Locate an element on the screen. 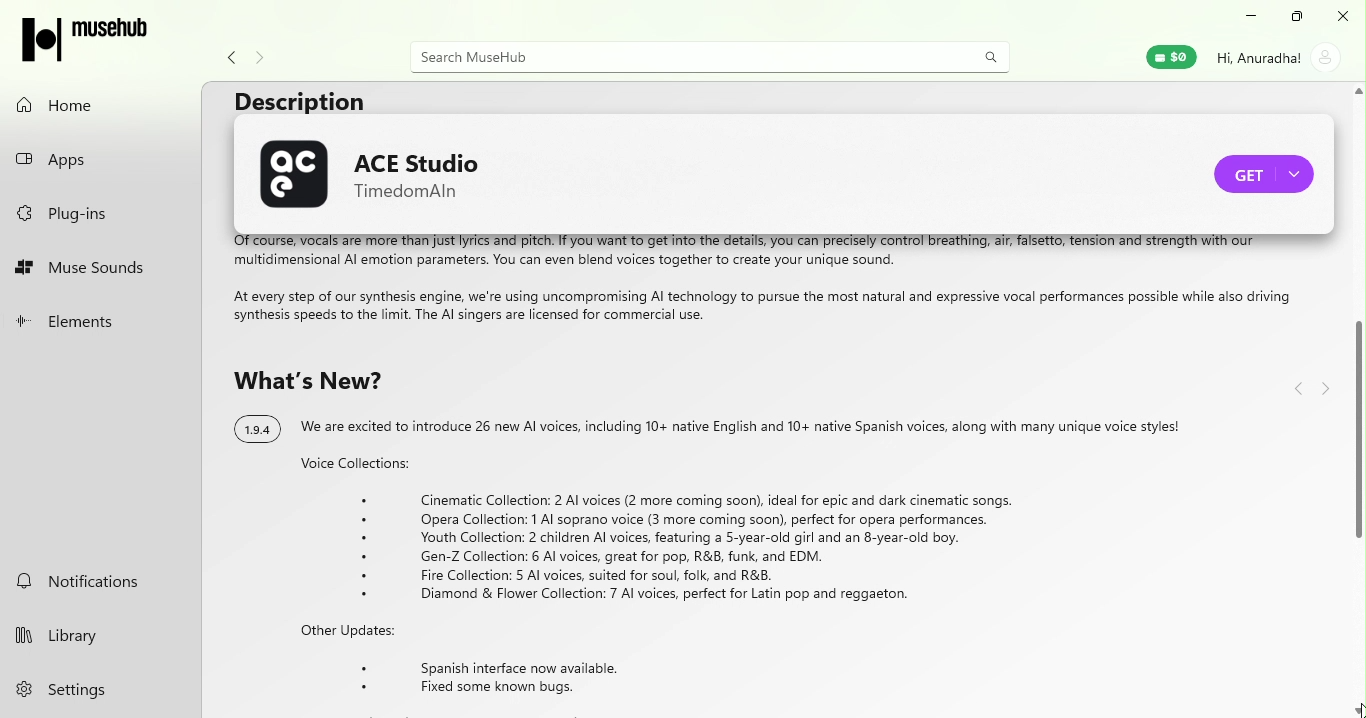 The width and height of the screenshot is (1366, 718). library is located at coordinates (80, 636).